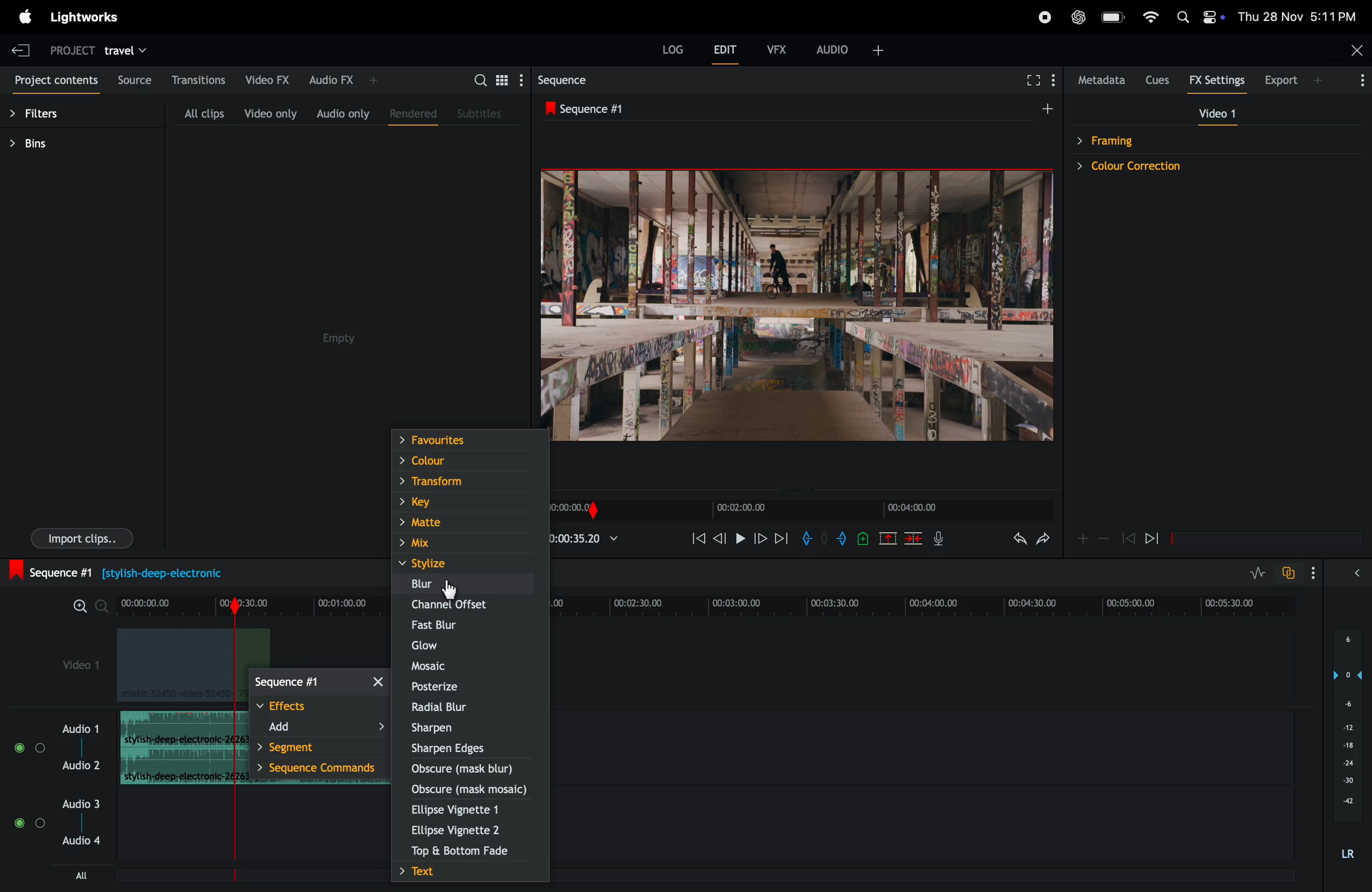 This screenshot has width=1372, height=892. What do you see at coordinates (463, 645) in the screenshot?
I see `glow` at bounding box center [463, 645].